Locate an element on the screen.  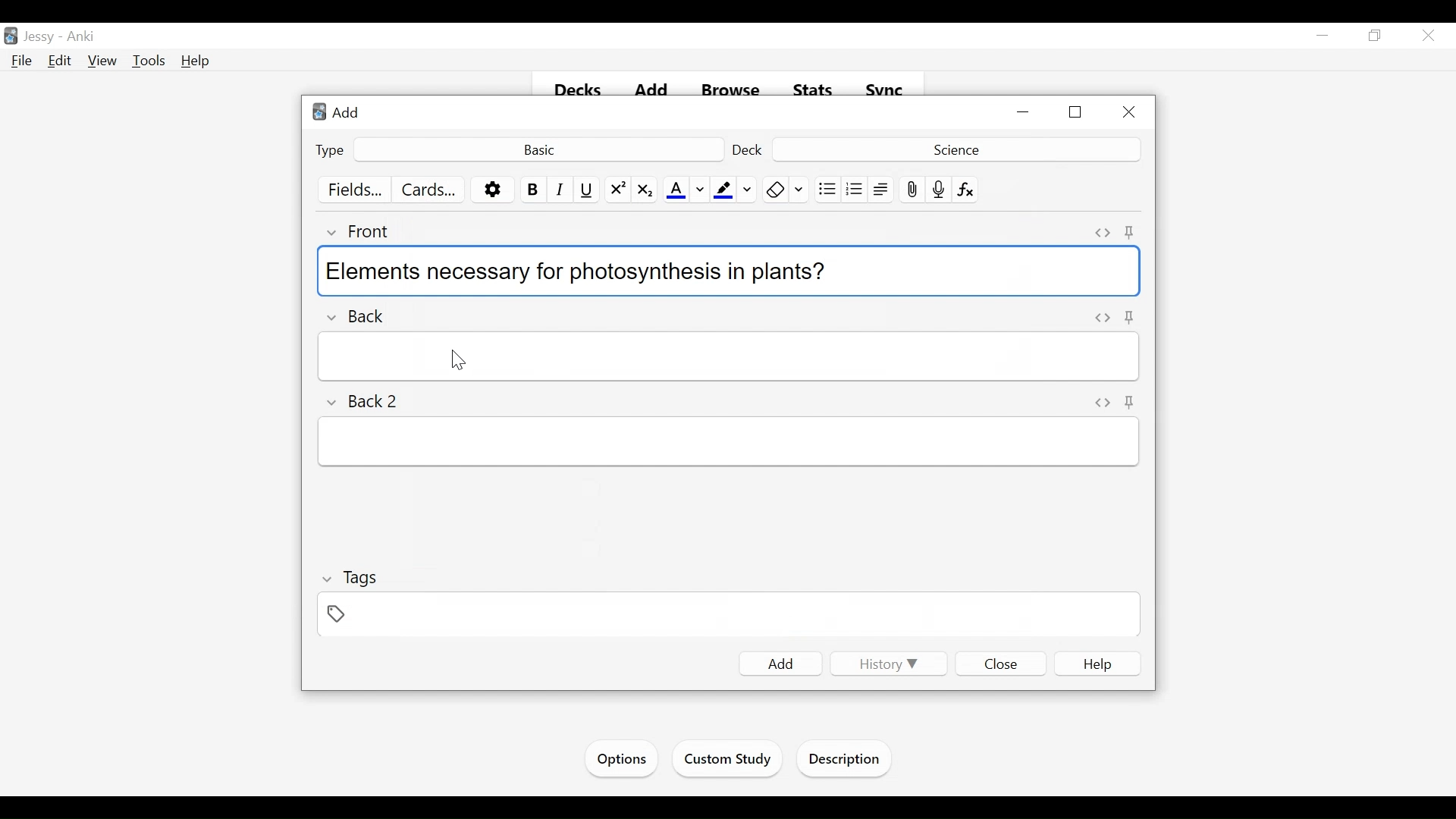
Close is located at coordinates (1426, 37).